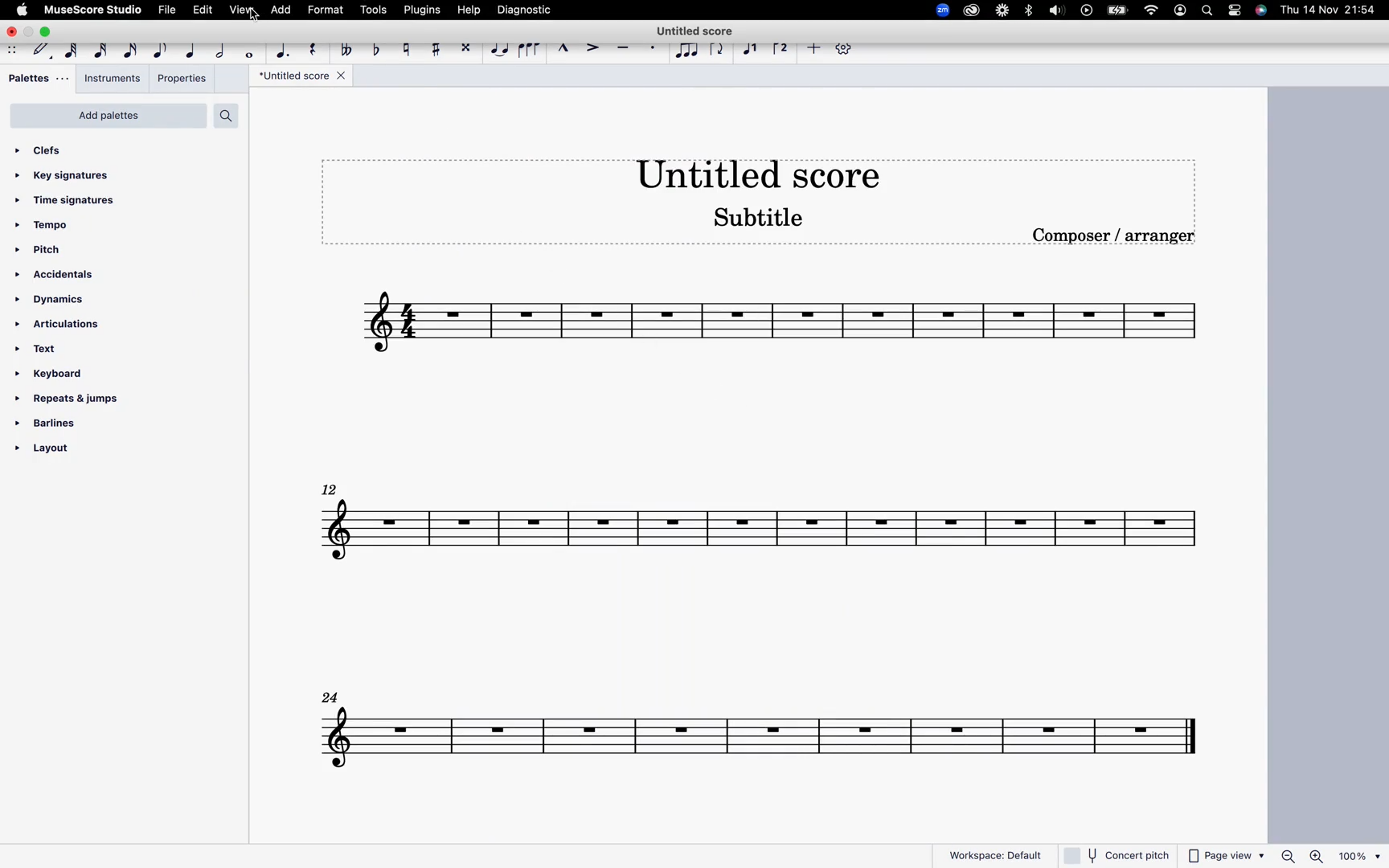 This screenshot has height=868, width=1389. Describe the element at coordinates (421, 10) in the screenshot. I see `plugins` at that location.